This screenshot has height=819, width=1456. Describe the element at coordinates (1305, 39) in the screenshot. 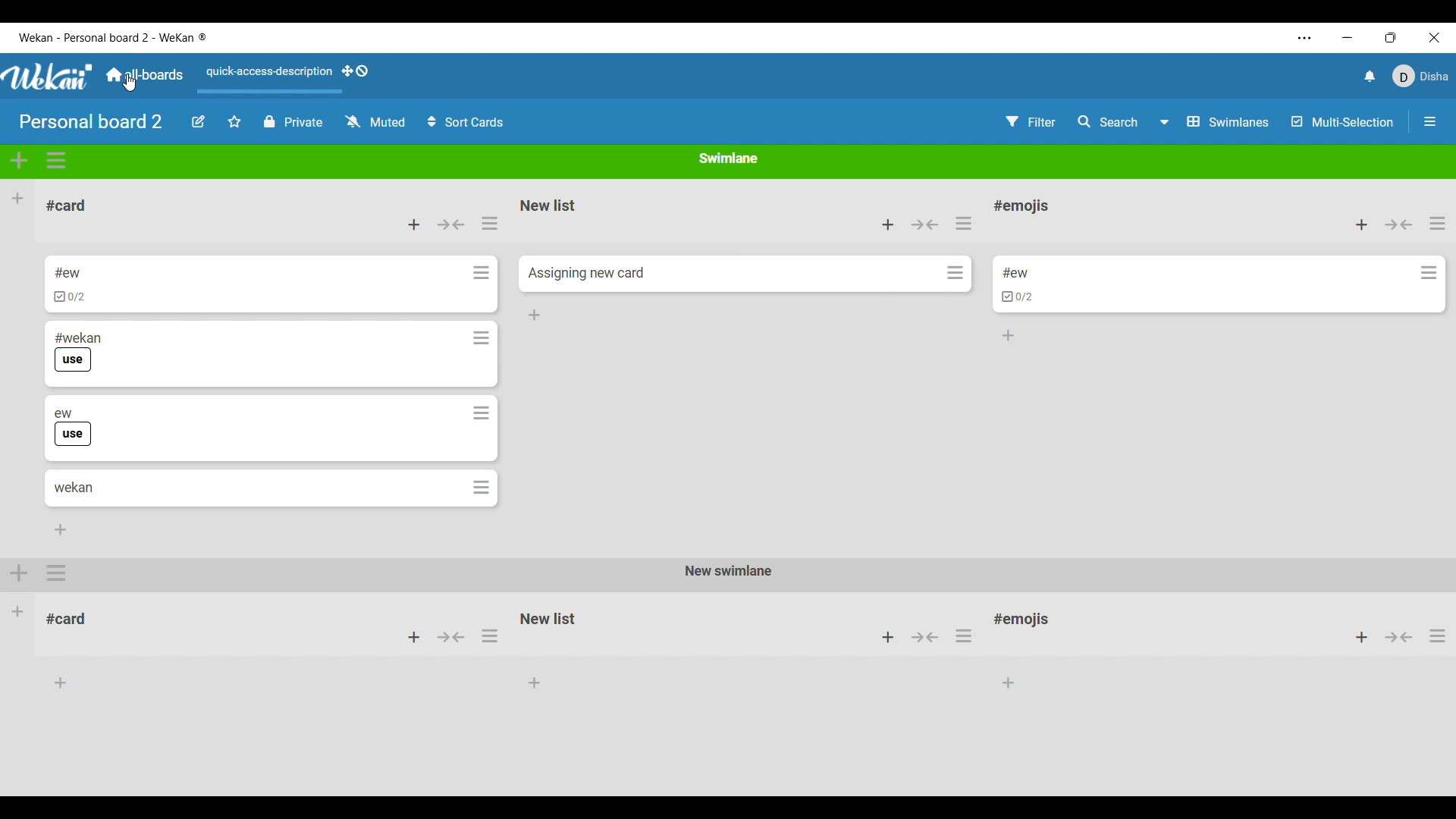

I see `More settings` at that location.